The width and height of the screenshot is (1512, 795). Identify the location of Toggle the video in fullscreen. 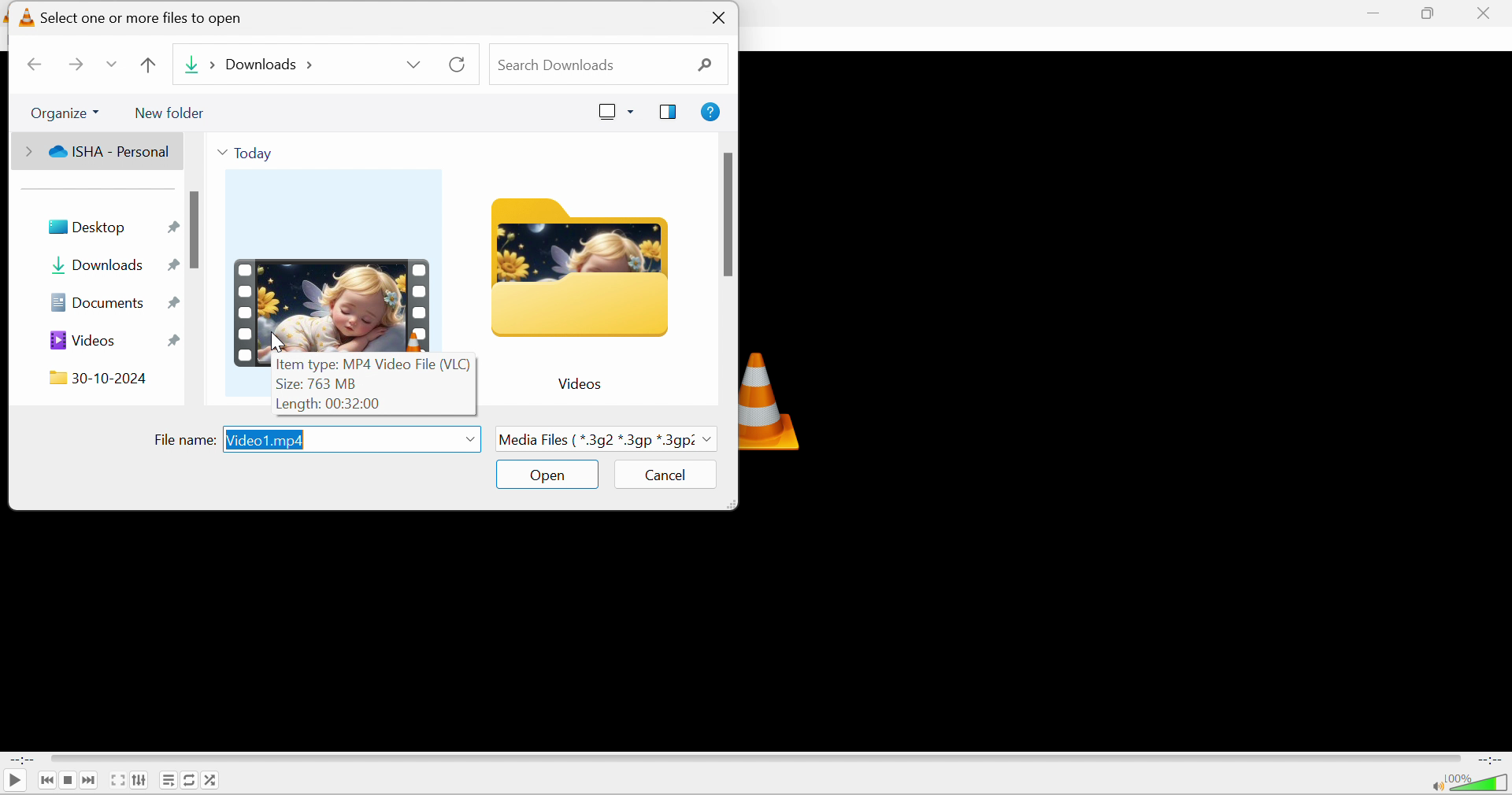
(118, 782).